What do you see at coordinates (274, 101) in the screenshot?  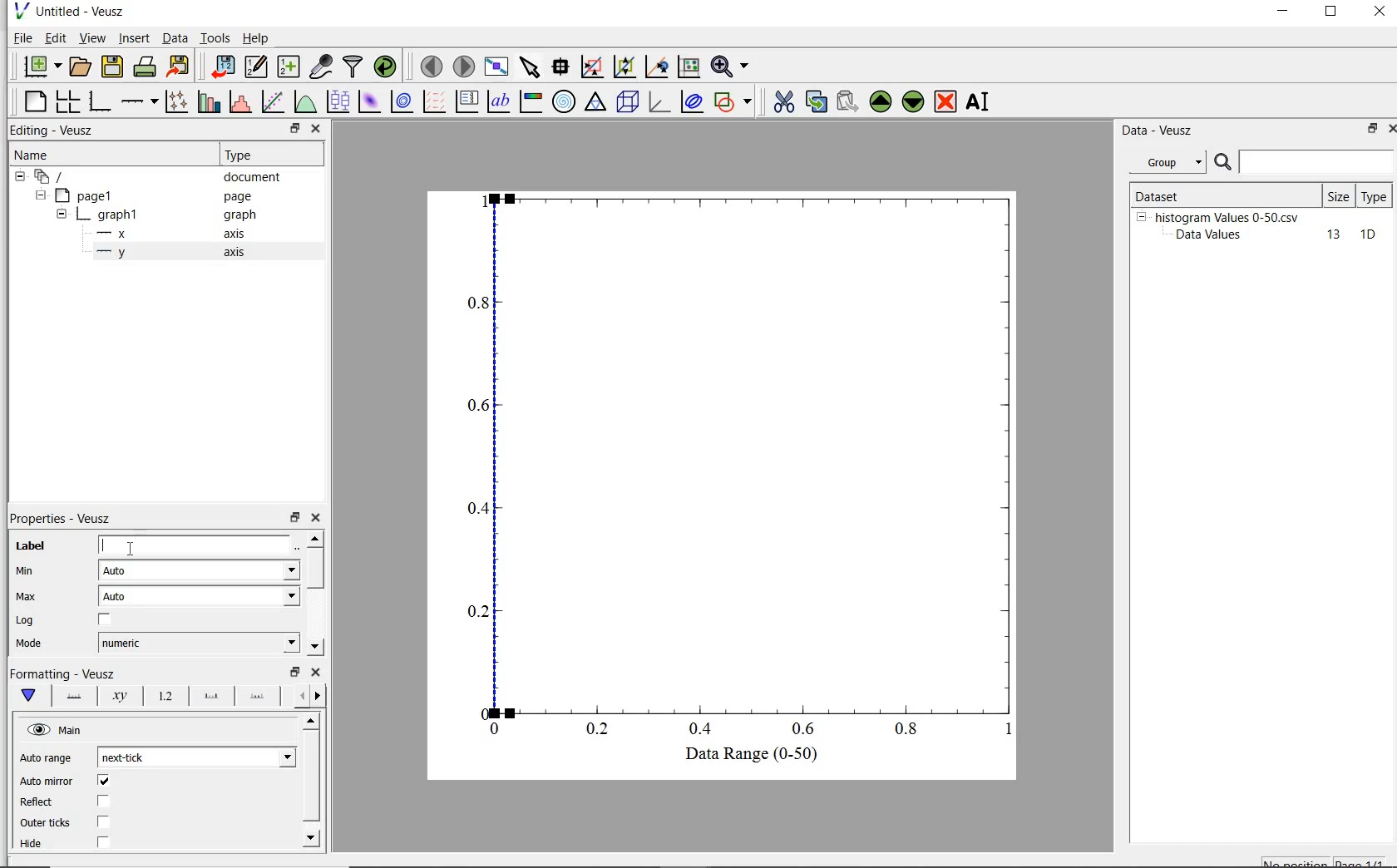 I see `fit a function to data` at bounding box center [274, 101].